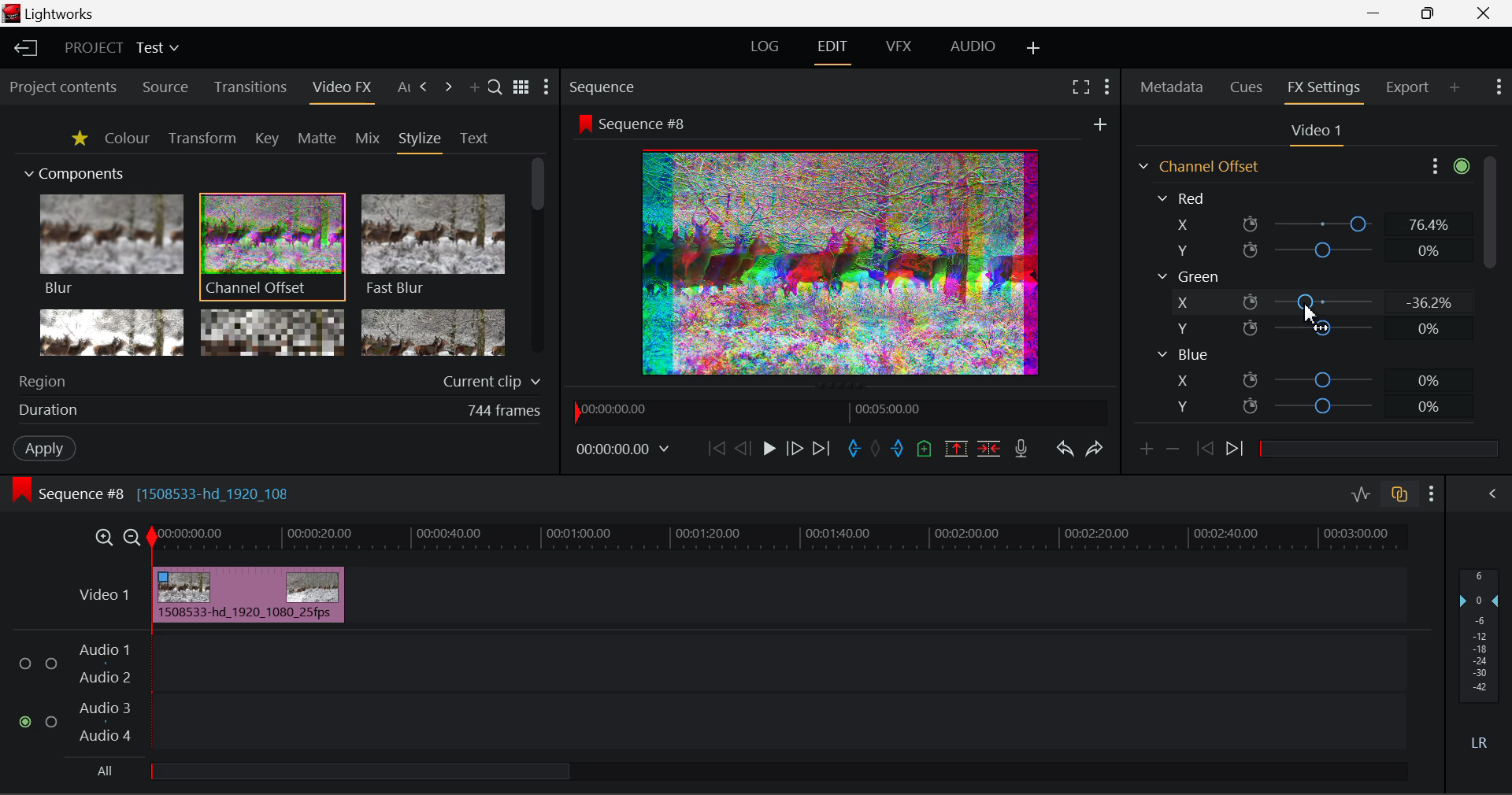 Image resolution: width=1512 pixels, height=795 pixels. I want to click on all, so click(314, 774).